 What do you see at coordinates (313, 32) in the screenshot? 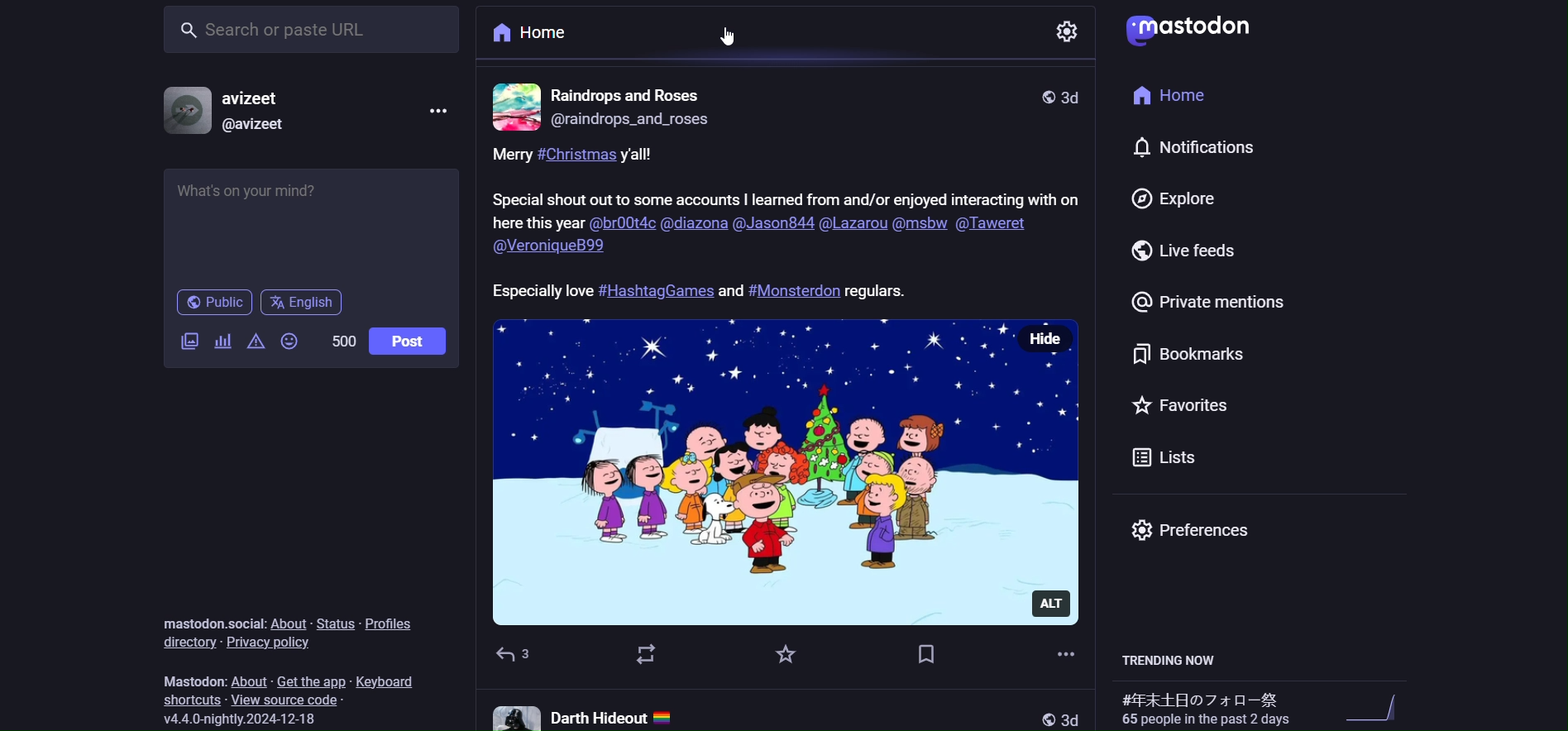
I see `search` at bounding box center [313, 32].